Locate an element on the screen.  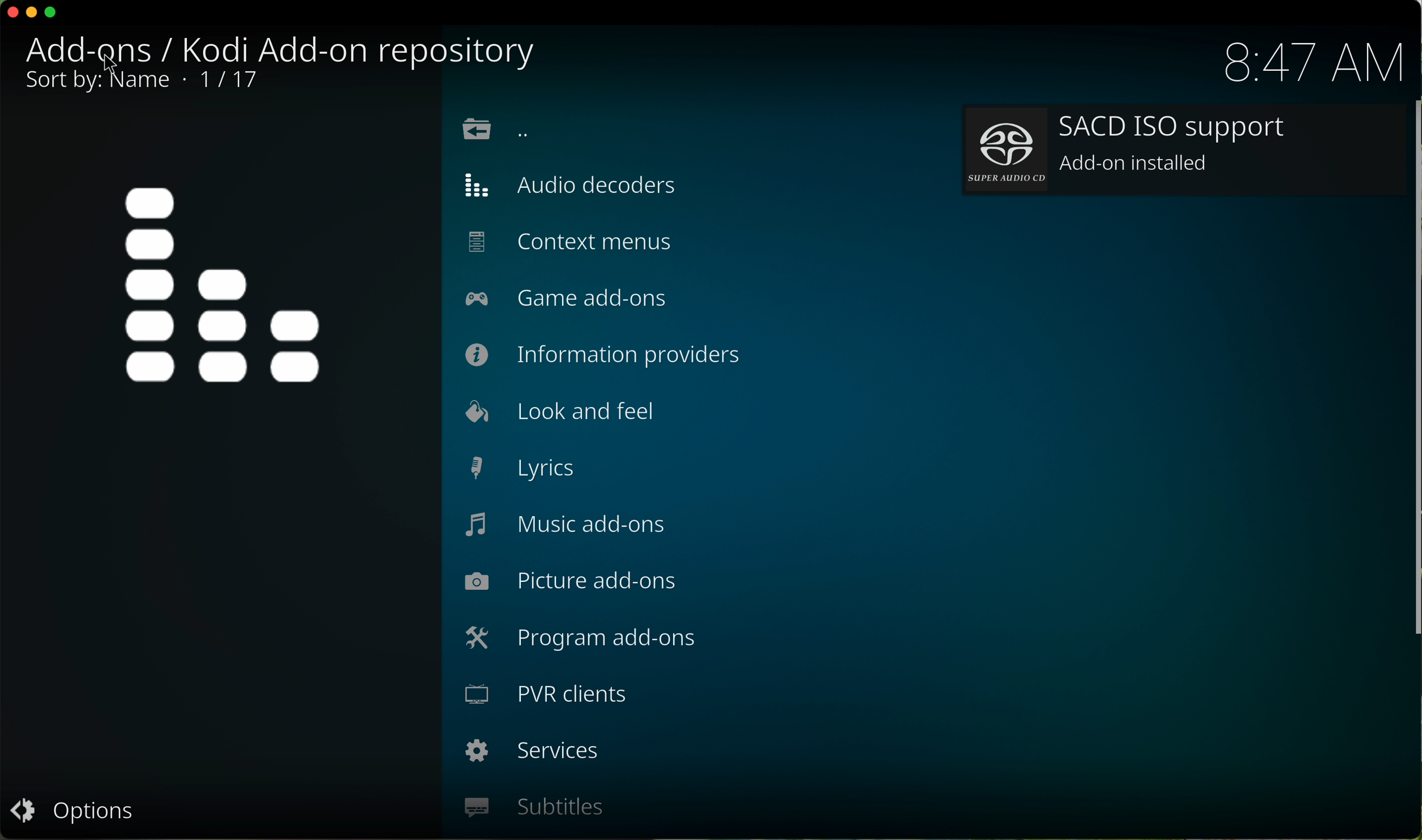
game add-ons is located at coordinates (569, 298).